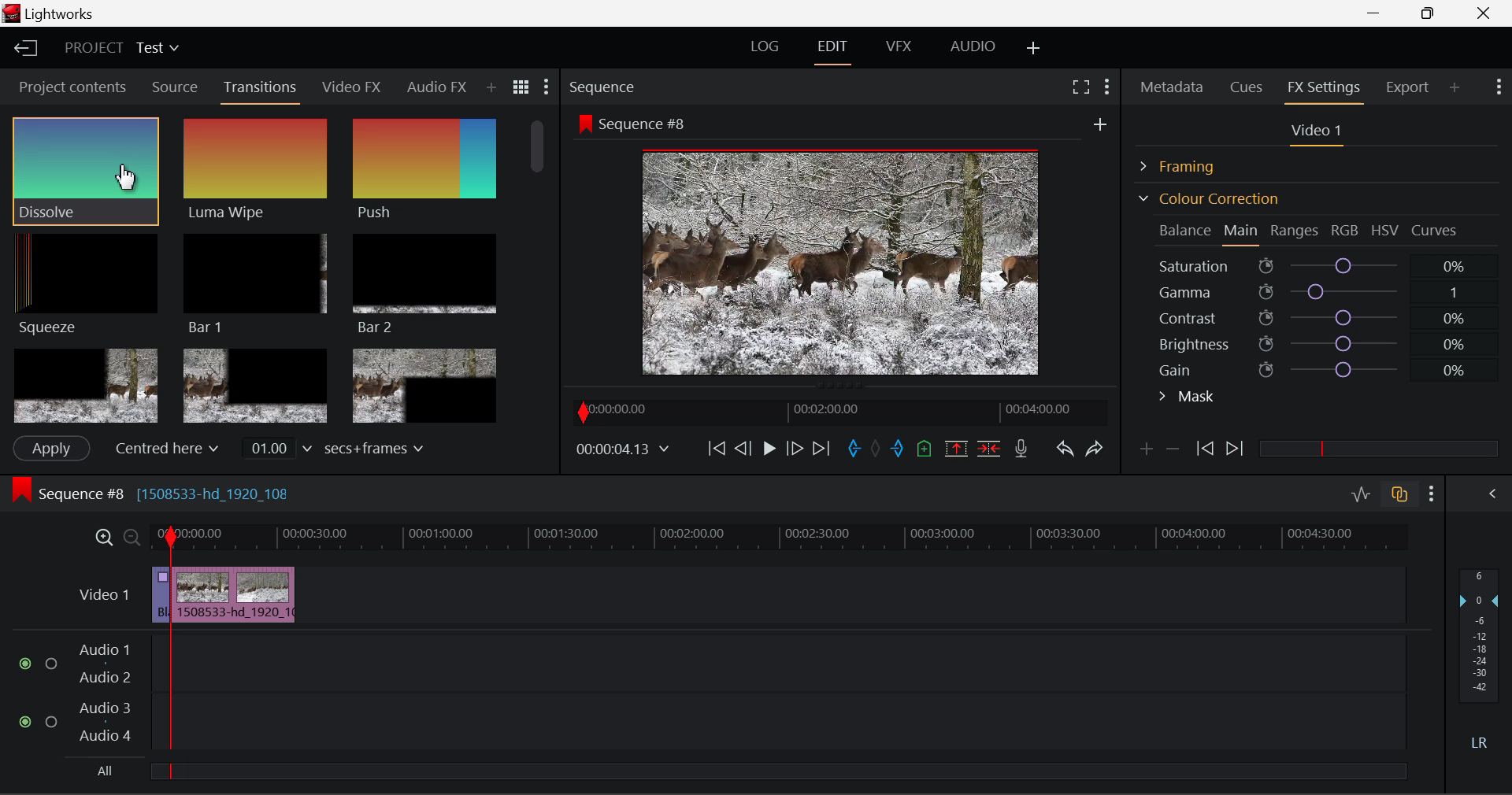 Image resolution: width=1512 pixels, height=795 pixels. What do you see at coordinates (1080, 86) in the screenshot?
I see `Full Screen` at bounding box center [1080, 86].